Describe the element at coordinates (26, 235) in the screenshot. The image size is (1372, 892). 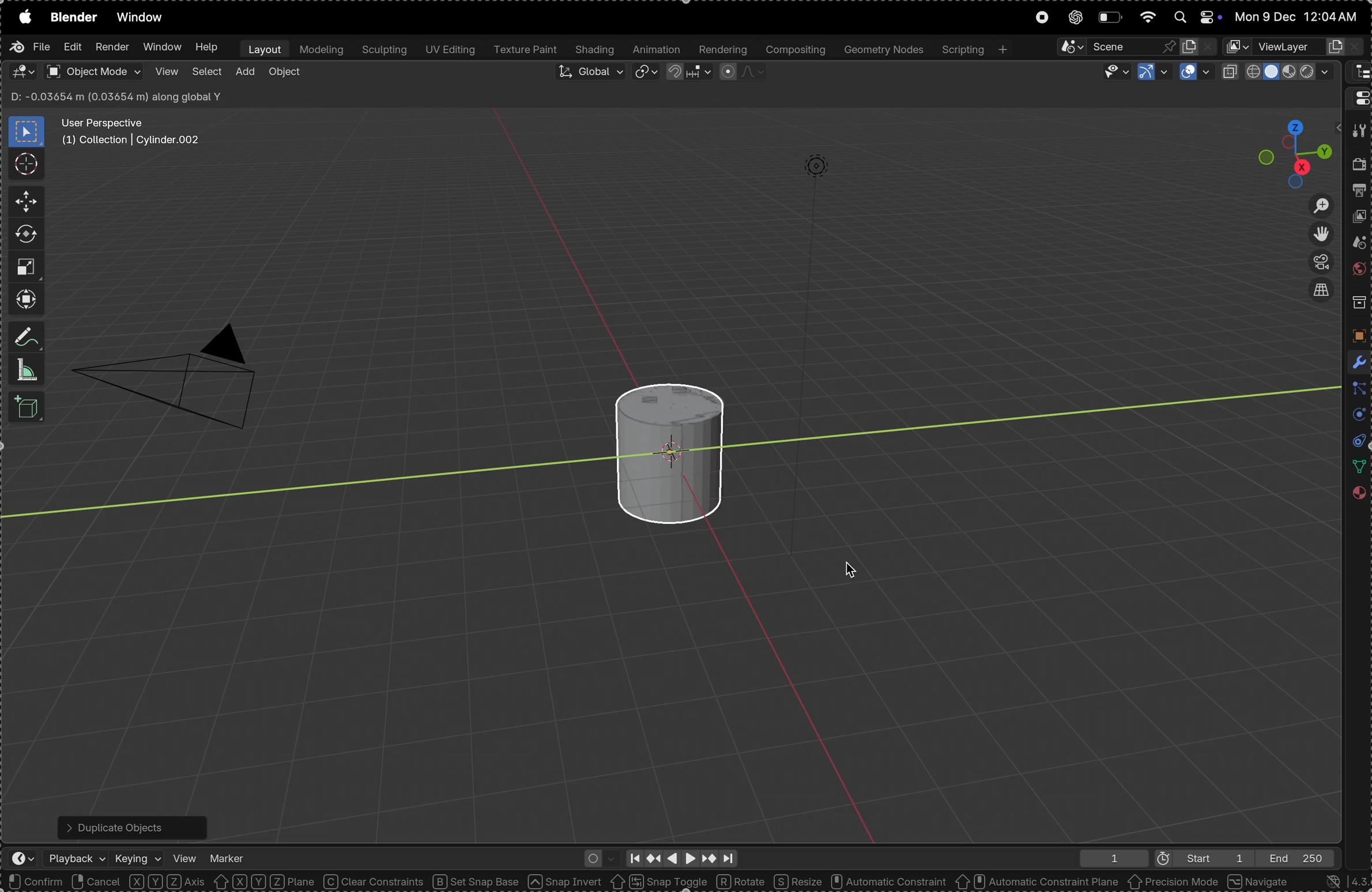
I see `rotate` at that location.